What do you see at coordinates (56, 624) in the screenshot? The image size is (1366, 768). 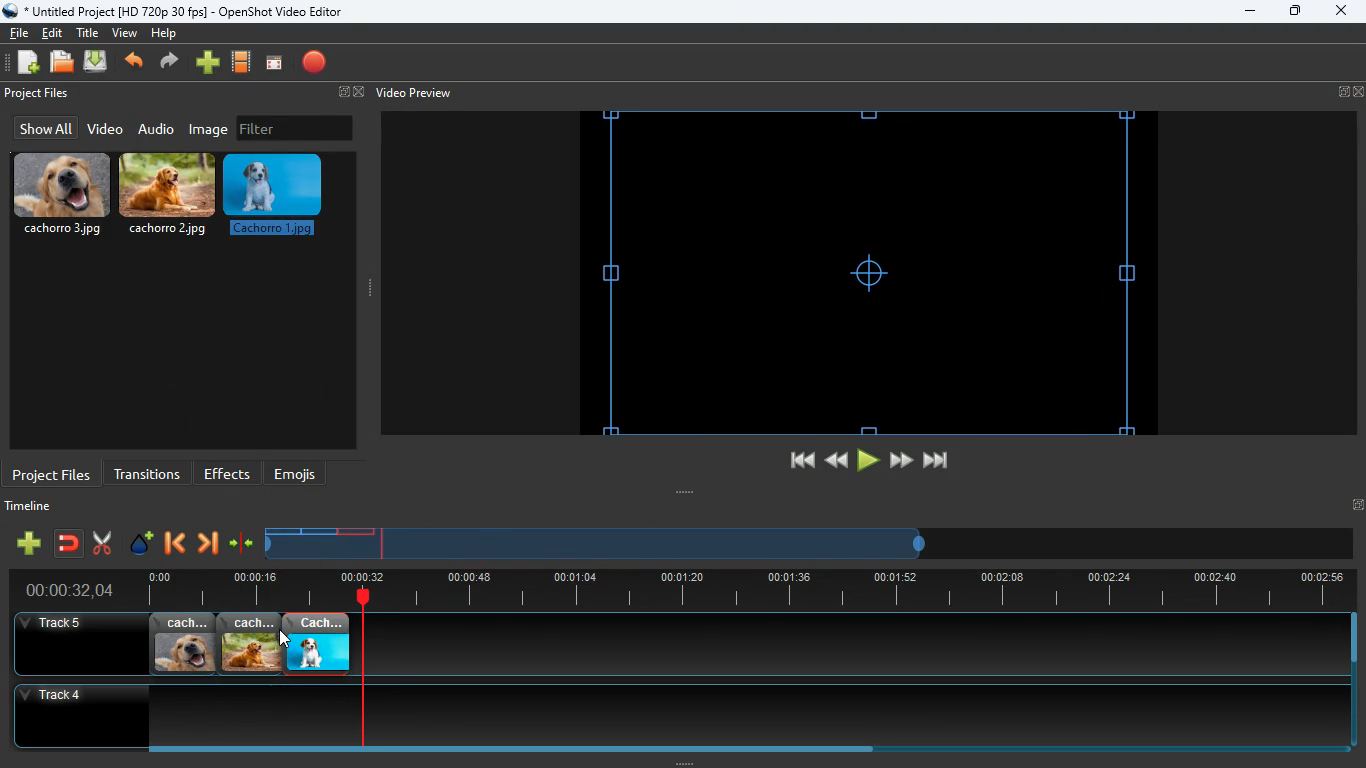 I see `track 5` at bounding box center [56, 624].